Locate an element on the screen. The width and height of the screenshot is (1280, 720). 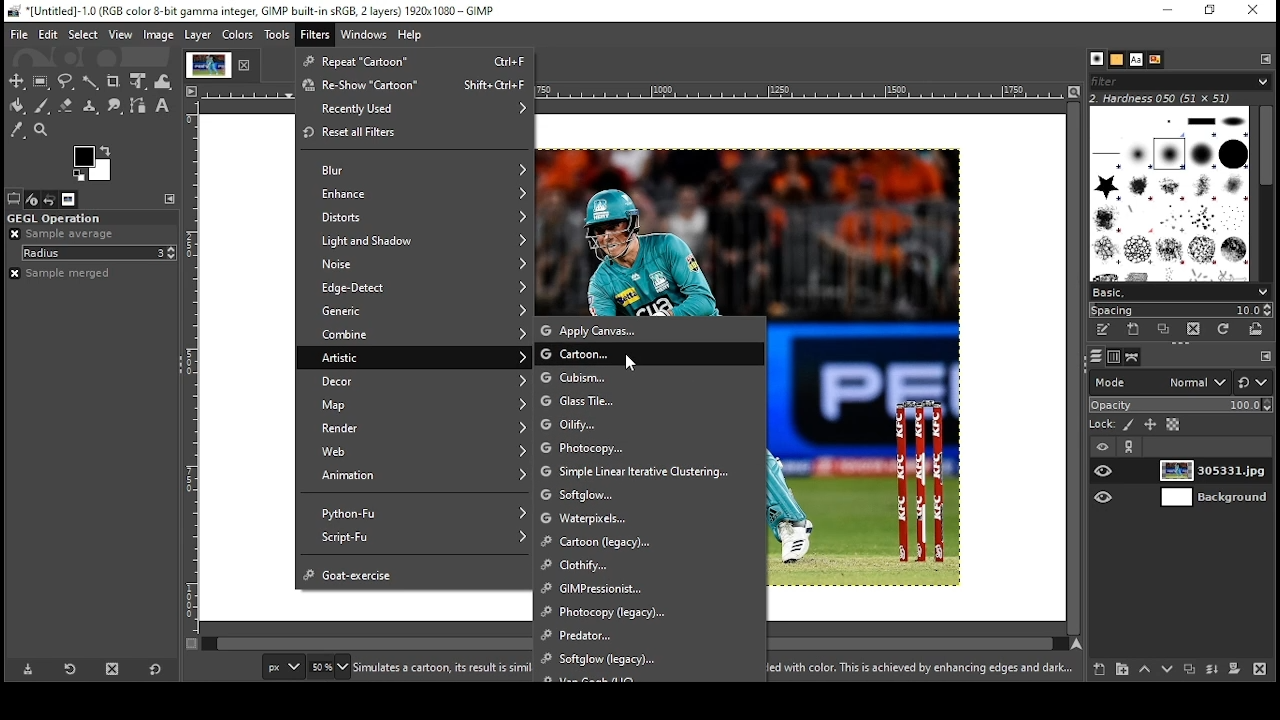
lock pixels is located at coordinates (1128, 425).